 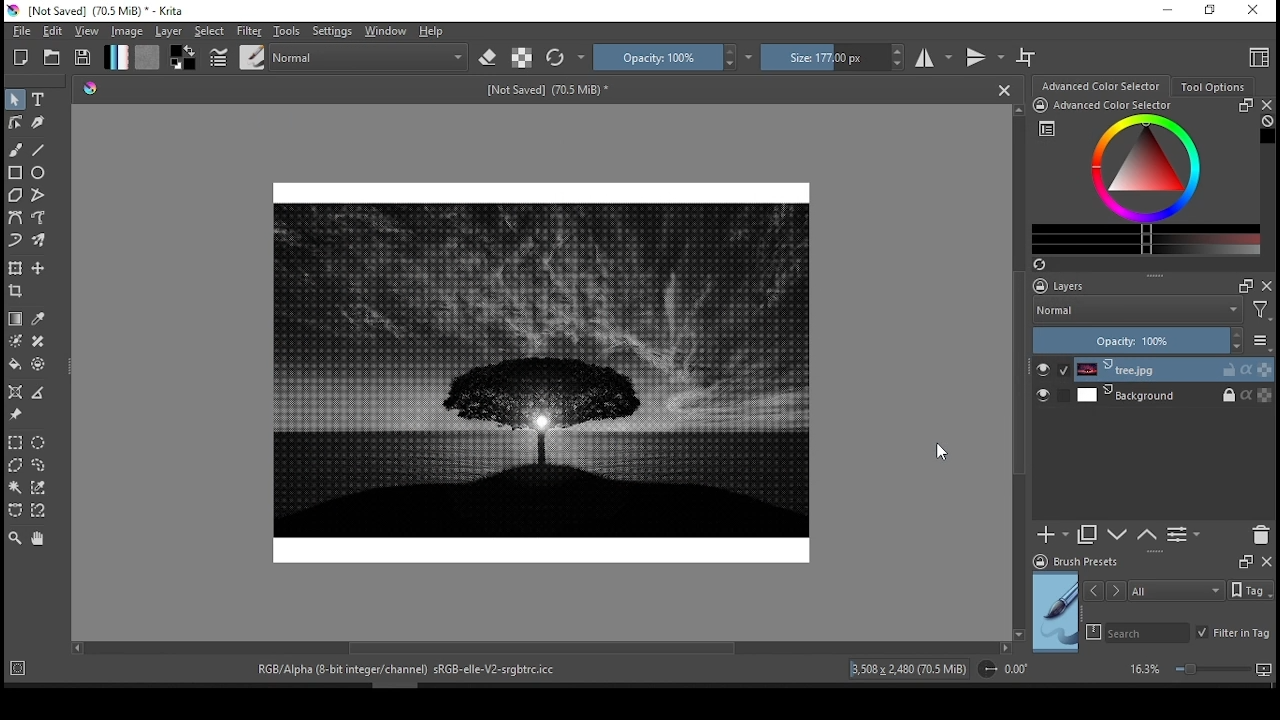 What do you see at coordinates (116, 57) in the screenshot?
I see `fill gradient tool` at bounding box center [116, 57].